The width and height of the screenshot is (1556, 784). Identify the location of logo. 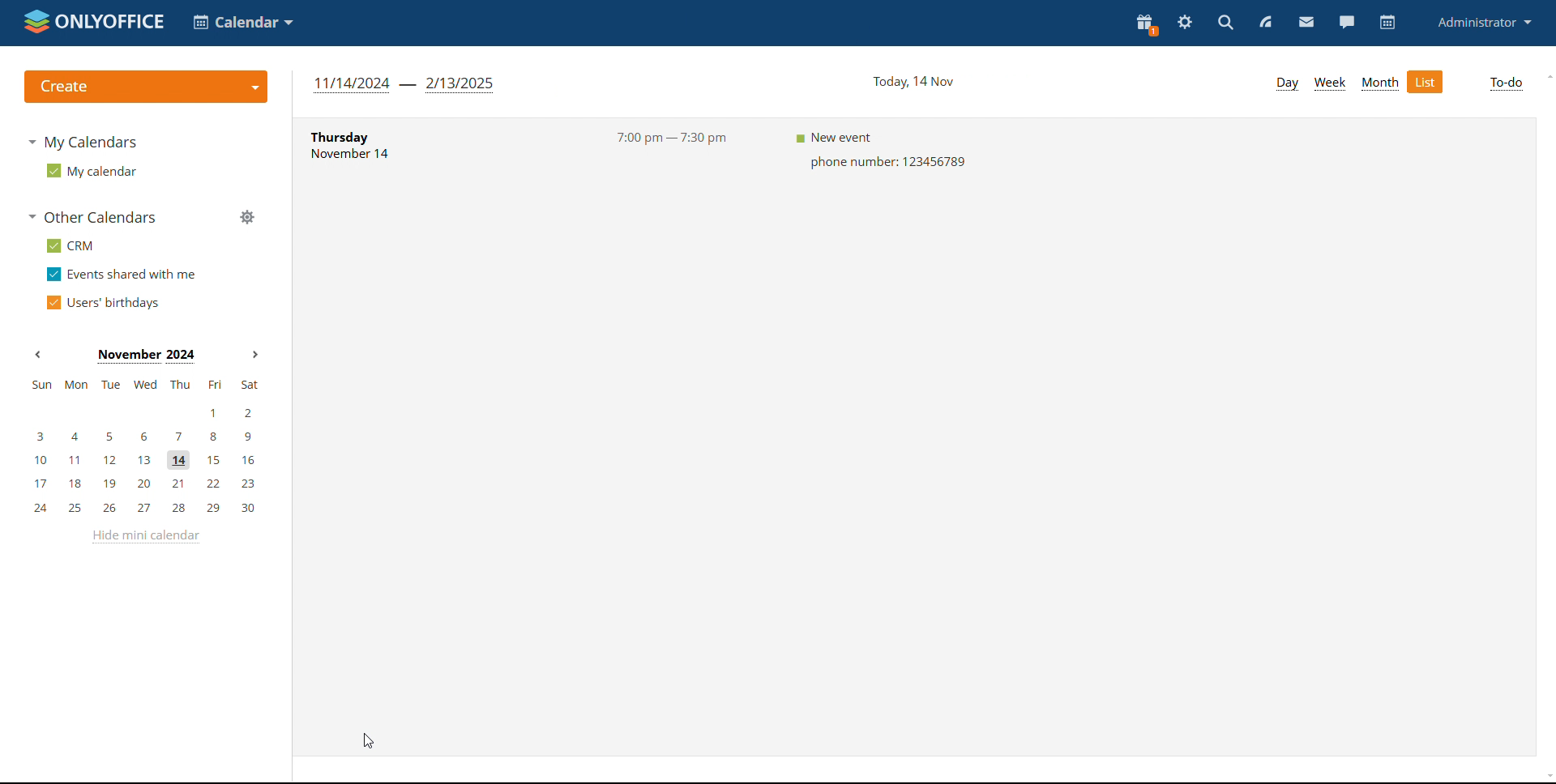
(144, 86).